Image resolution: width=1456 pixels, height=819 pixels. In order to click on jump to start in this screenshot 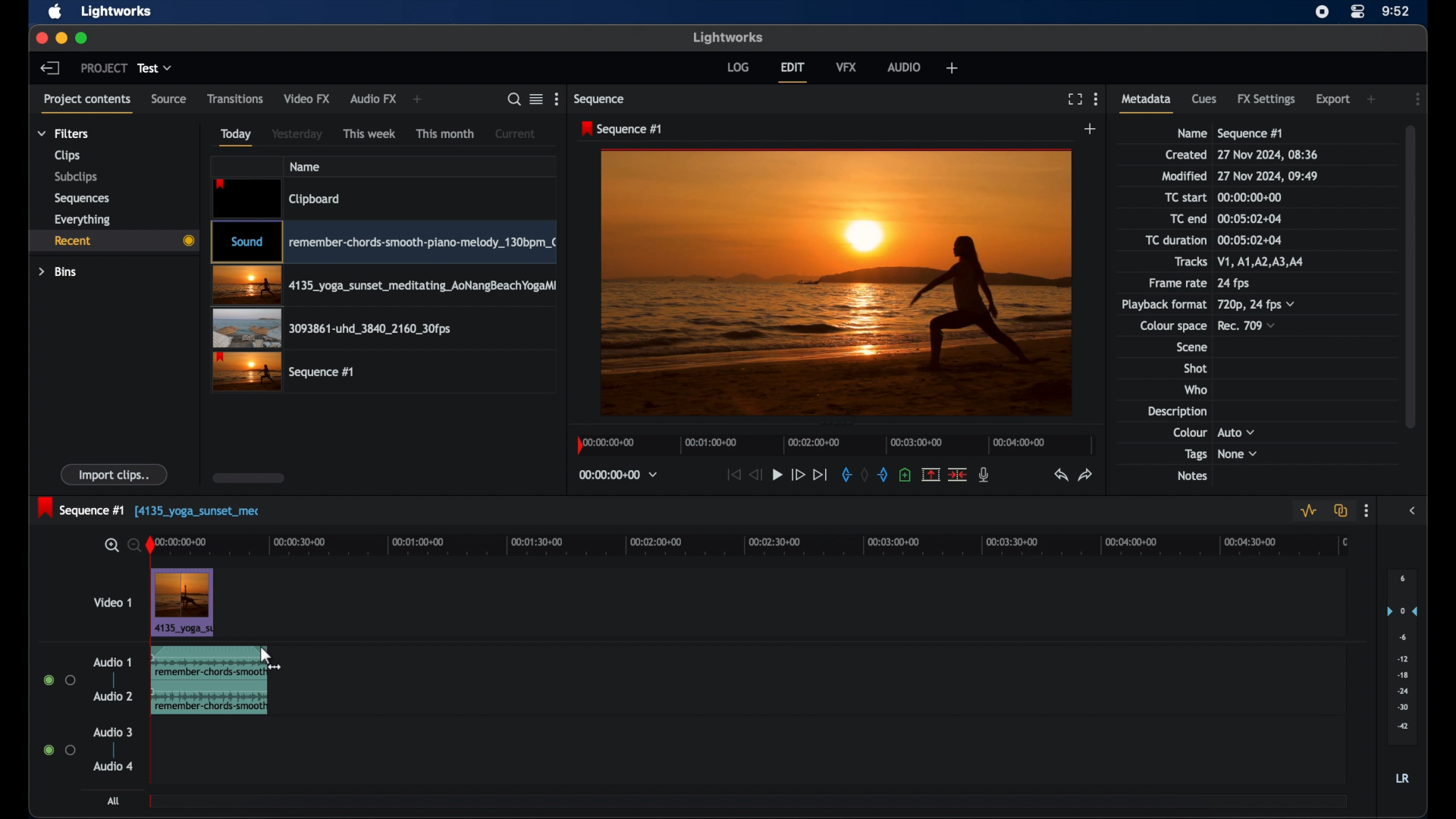, I will do `click(733, 474)`.